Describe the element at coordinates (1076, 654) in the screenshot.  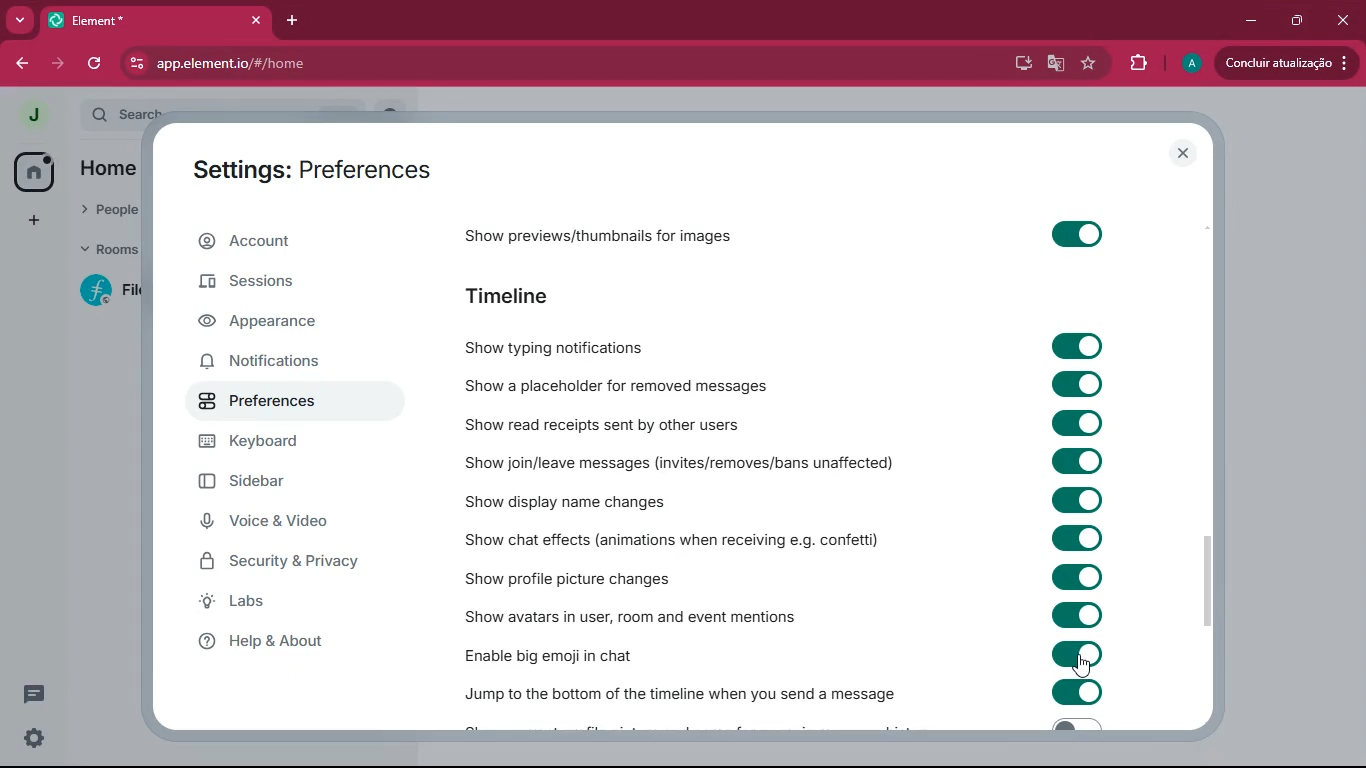
I see `toggle on ` at that location.